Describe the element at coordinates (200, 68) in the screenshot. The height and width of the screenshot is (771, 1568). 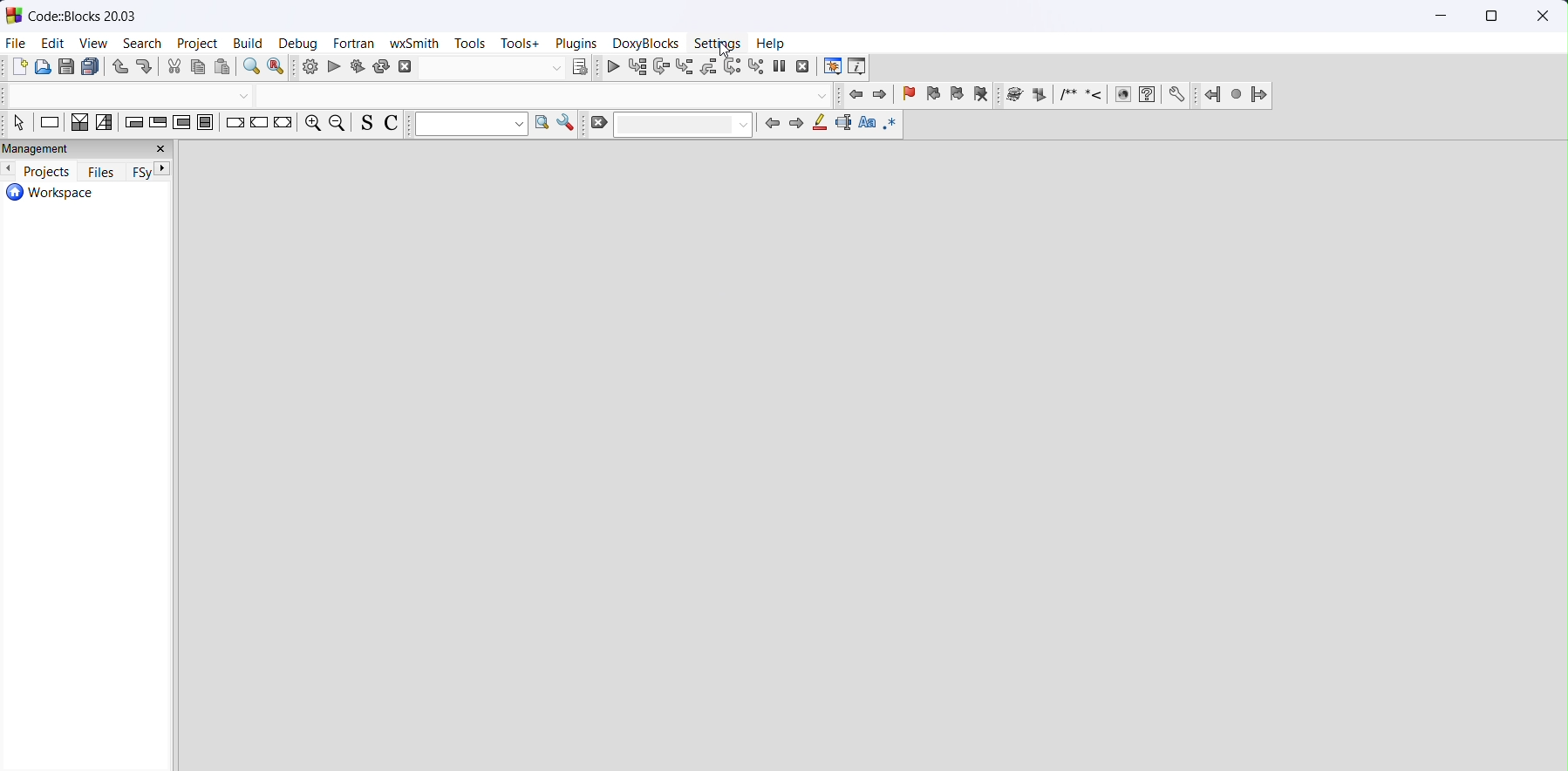
I see `copy` at that location.